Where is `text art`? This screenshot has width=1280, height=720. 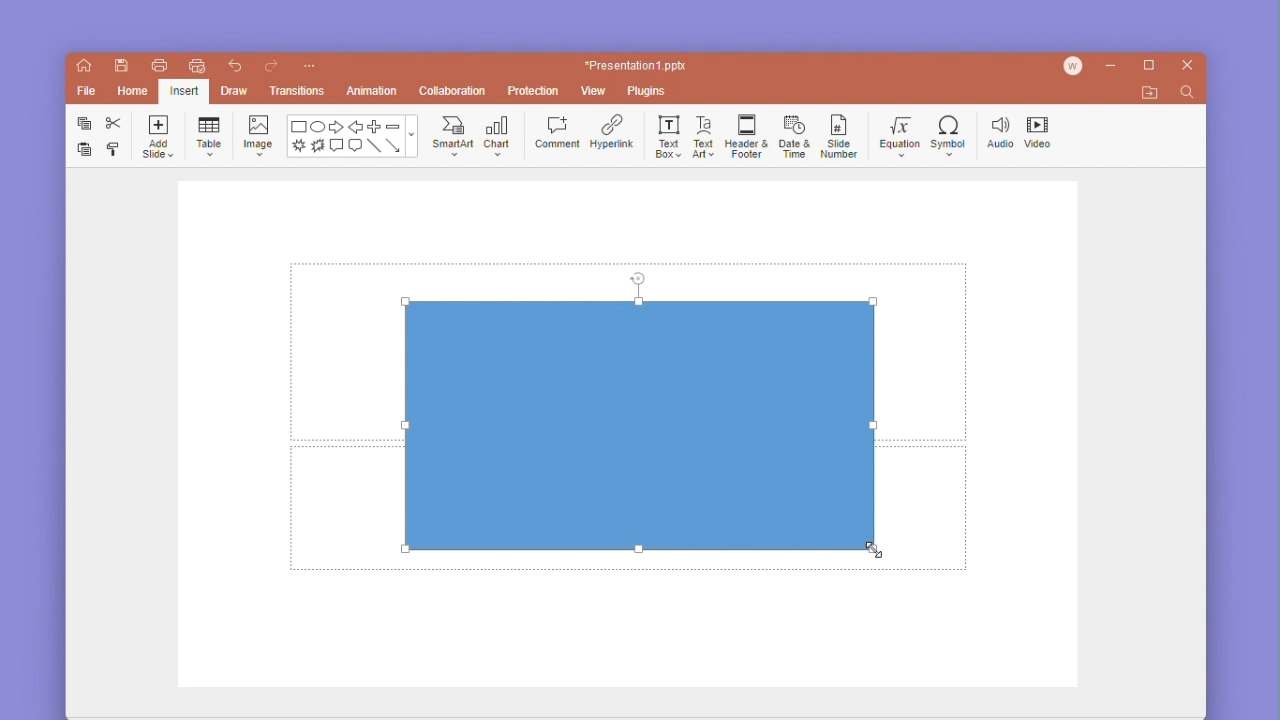
text art is located at coordinates (704, 134).